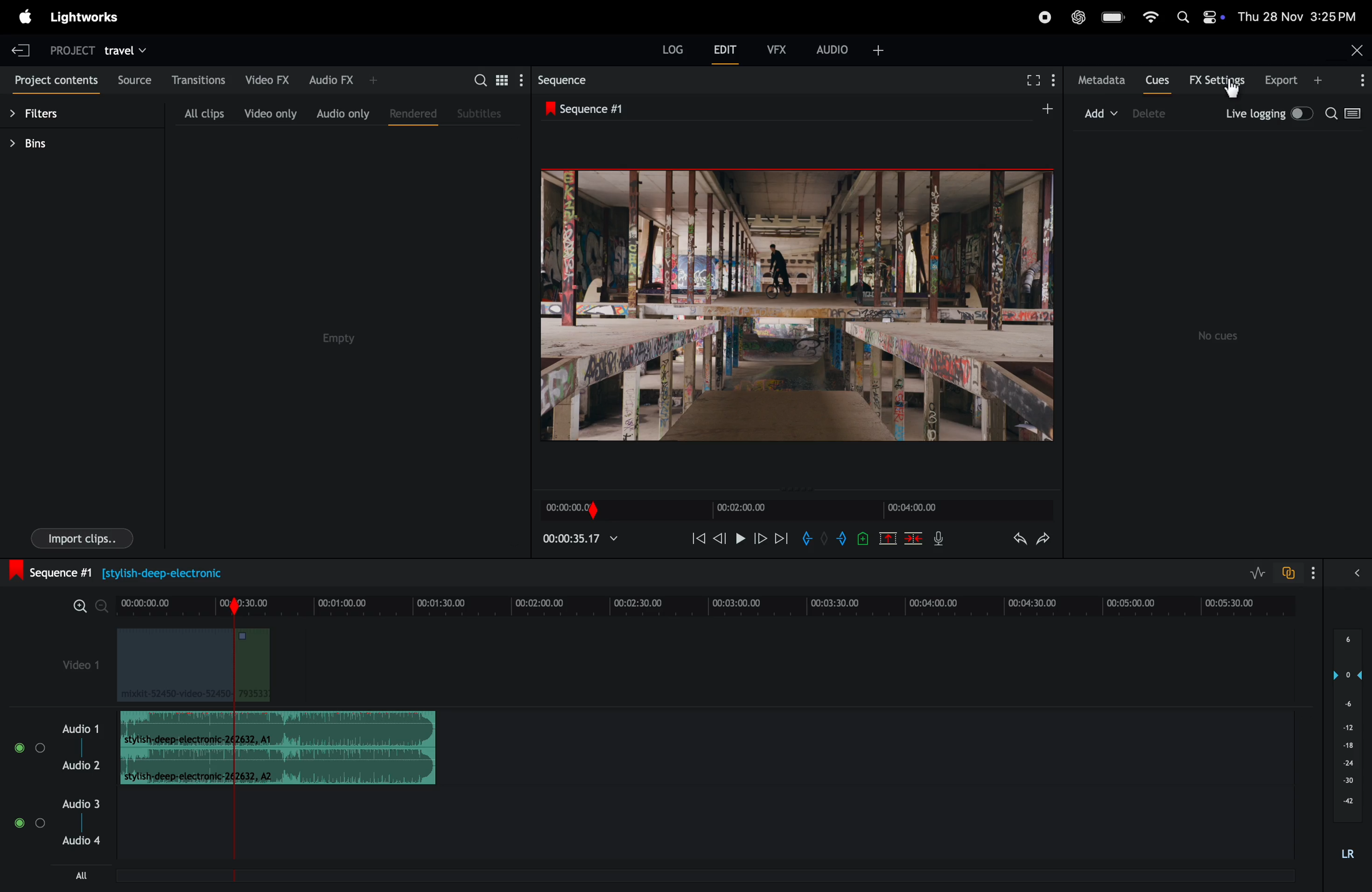 The height and width of the screenshot is (892, 1372). What do you see at coordinates (142, 571) in the screenshot?
I see `sequence 1` at bounding box center [142, 571].